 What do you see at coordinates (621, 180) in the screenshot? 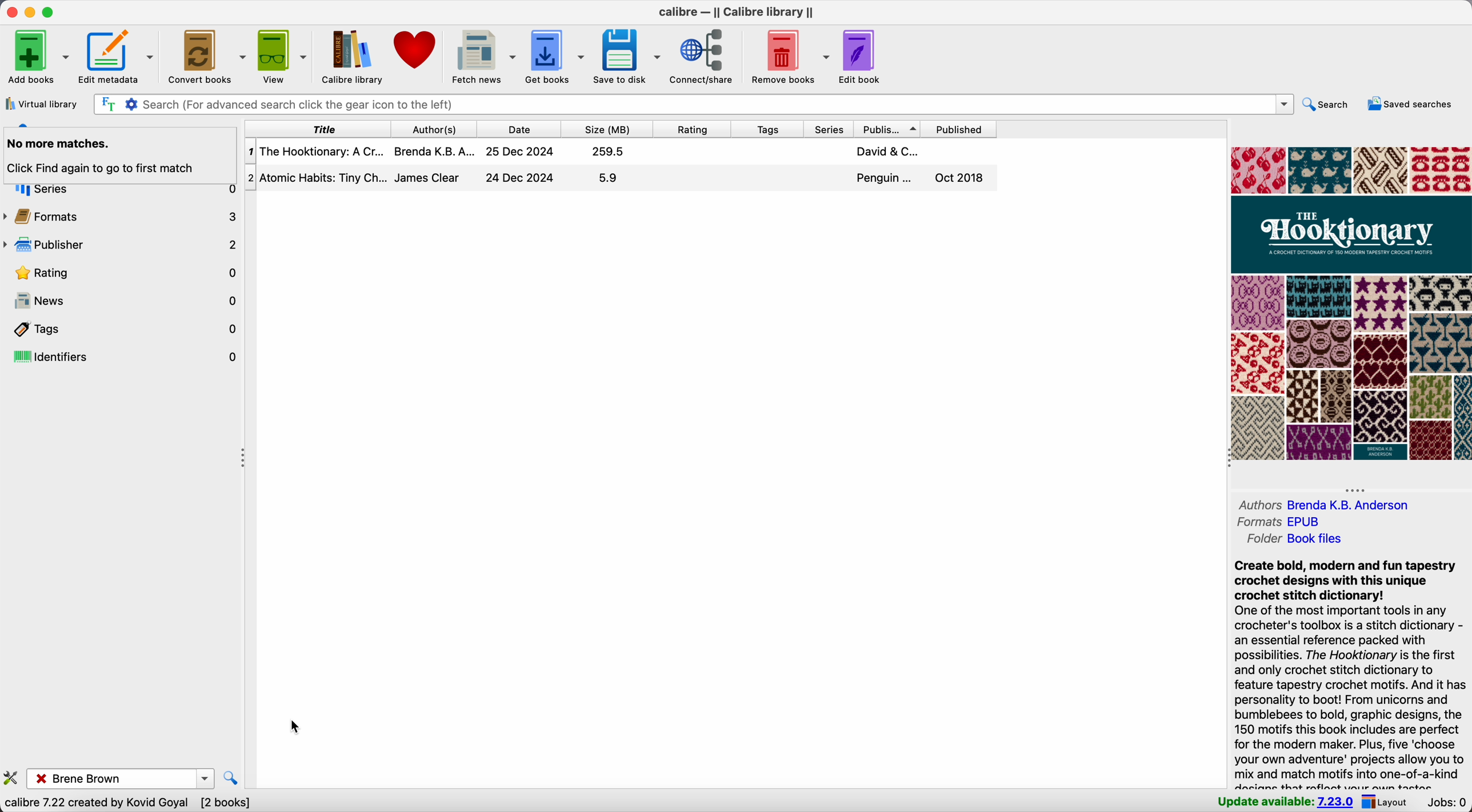
I see `second book` at bounding box center [621, 180].